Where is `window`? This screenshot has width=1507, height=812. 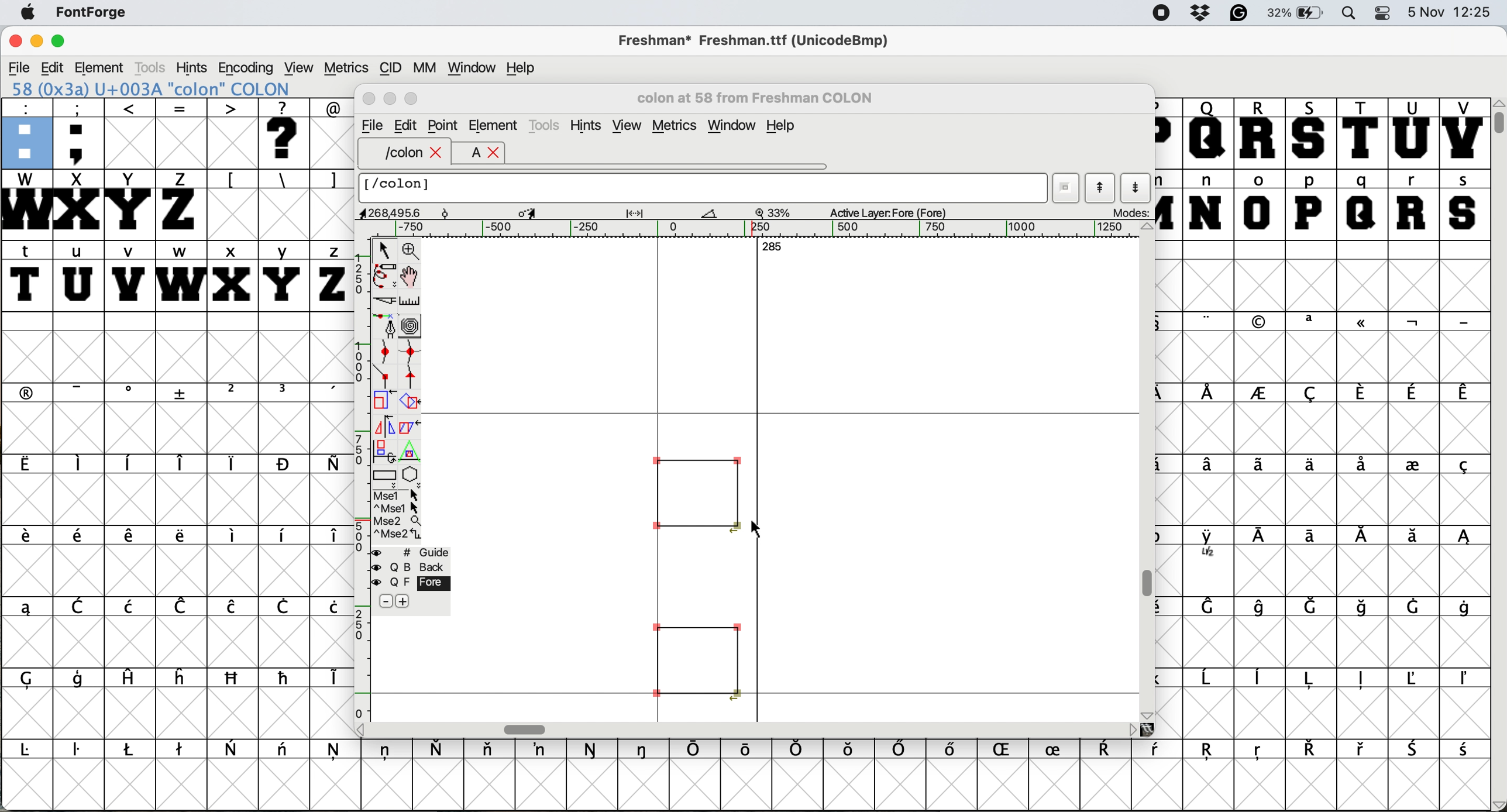
window is located at coordinates (473, 66).